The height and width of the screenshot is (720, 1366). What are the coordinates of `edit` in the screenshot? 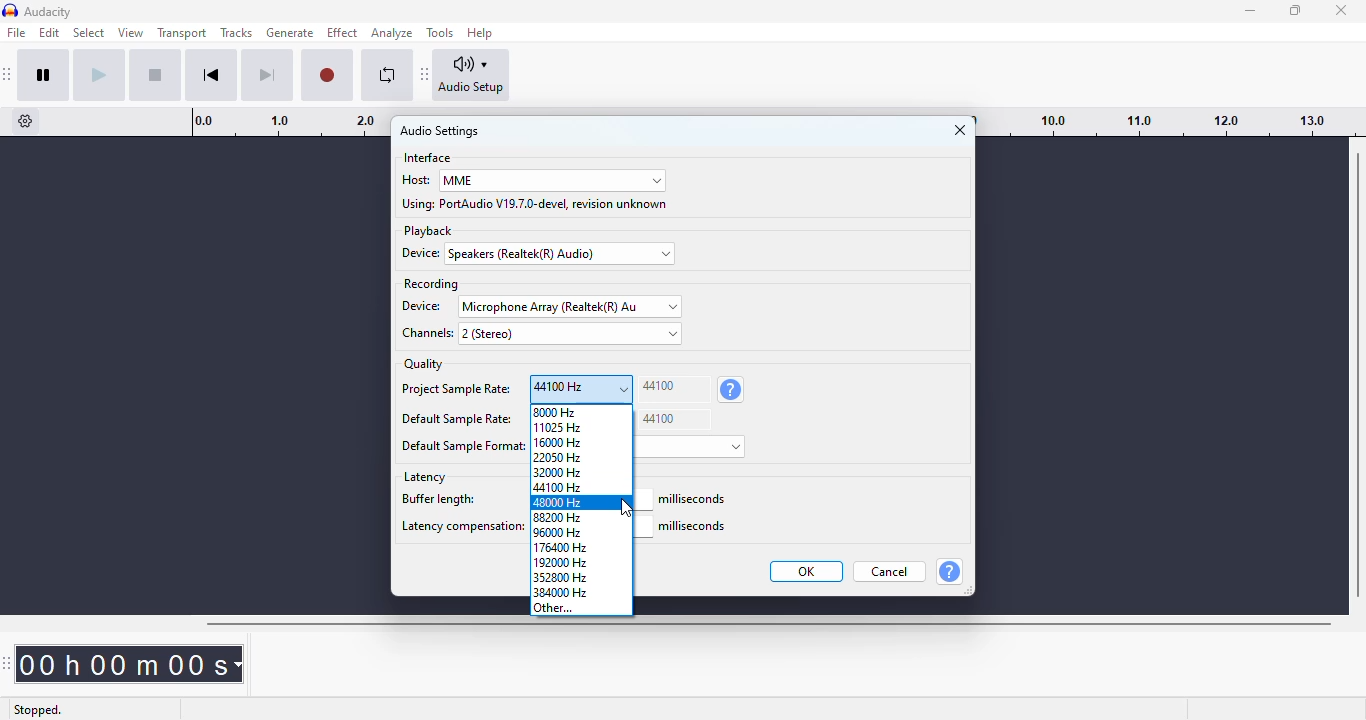 It's located at (49, 32).